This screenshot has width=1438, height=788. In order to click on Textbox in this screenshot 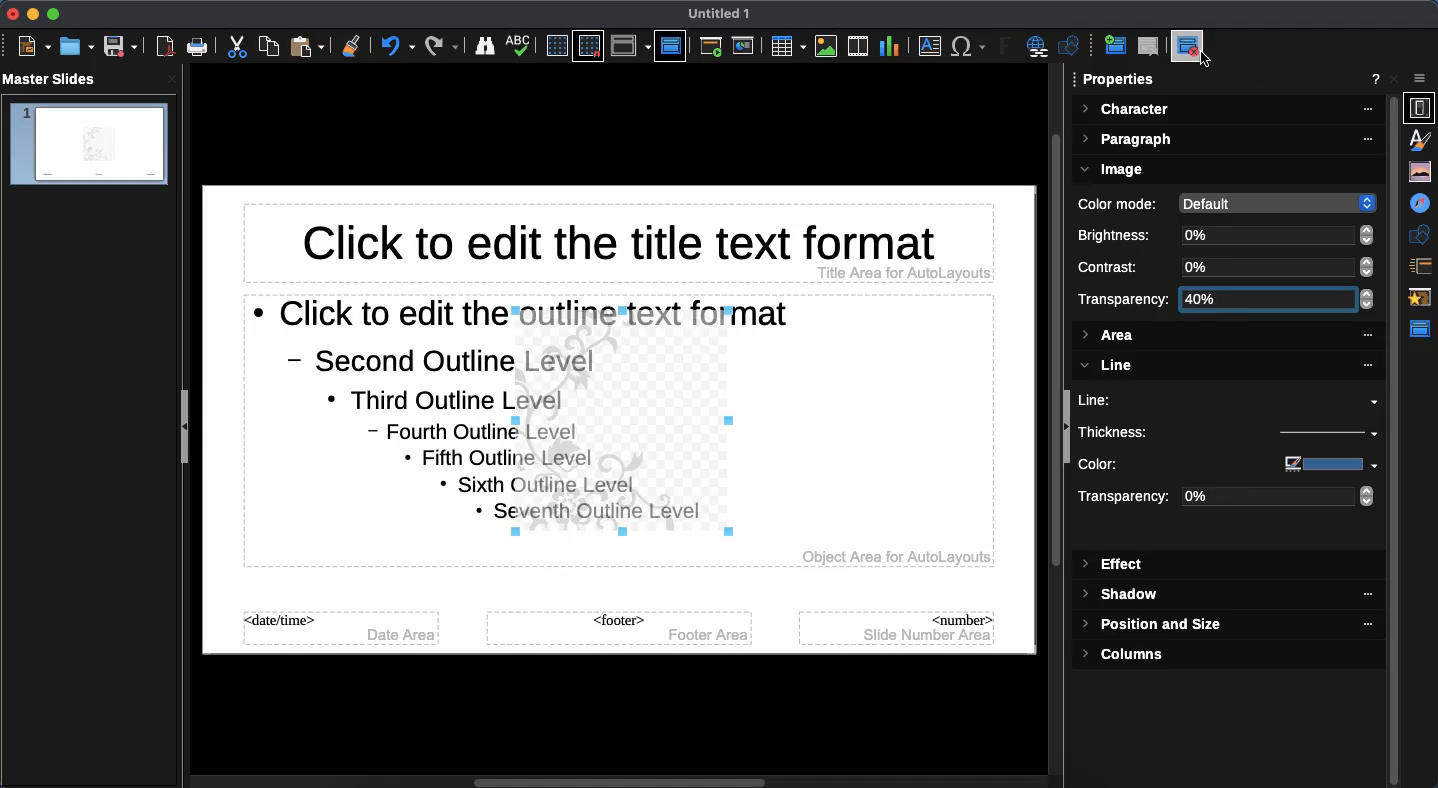, I will do `click(927, 47)`.